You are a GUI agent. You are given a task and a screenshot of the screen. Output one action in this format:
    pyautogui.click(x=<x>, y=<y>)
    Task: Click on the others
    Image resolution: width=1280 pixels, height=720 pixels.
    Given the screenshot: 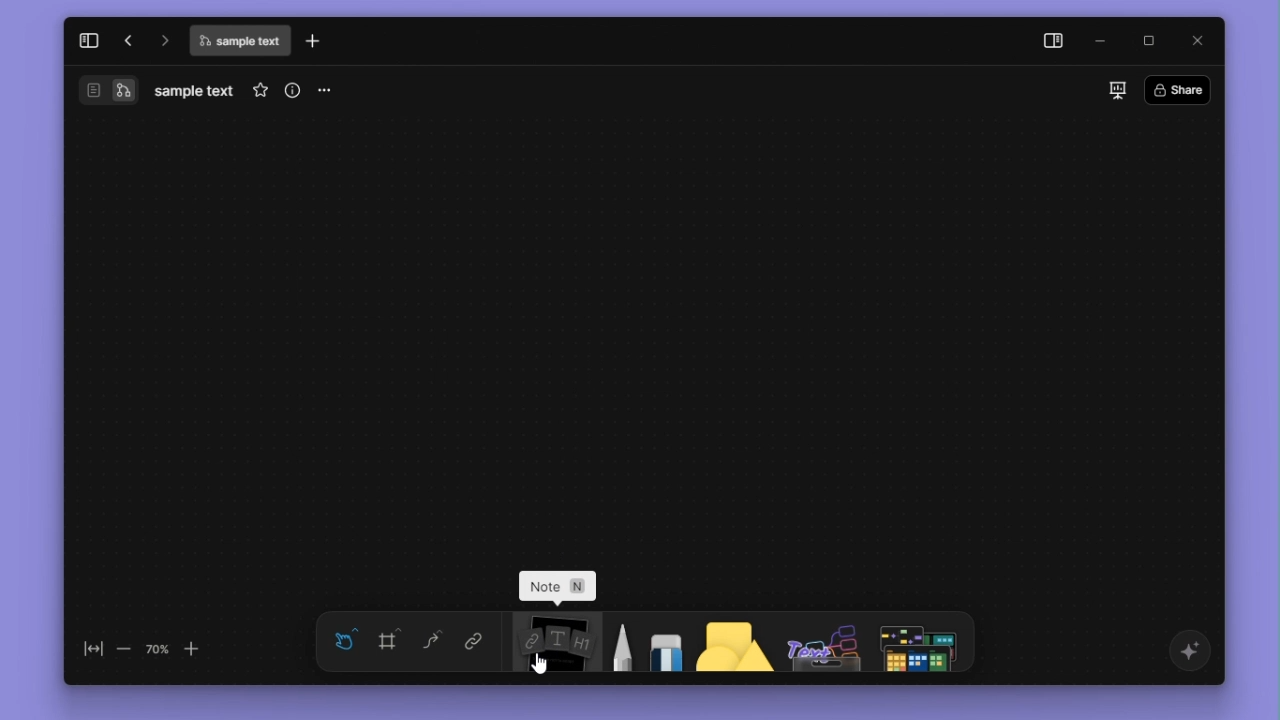 What is the action you would take?
    pyautogui.click(x=819, y=644)
    